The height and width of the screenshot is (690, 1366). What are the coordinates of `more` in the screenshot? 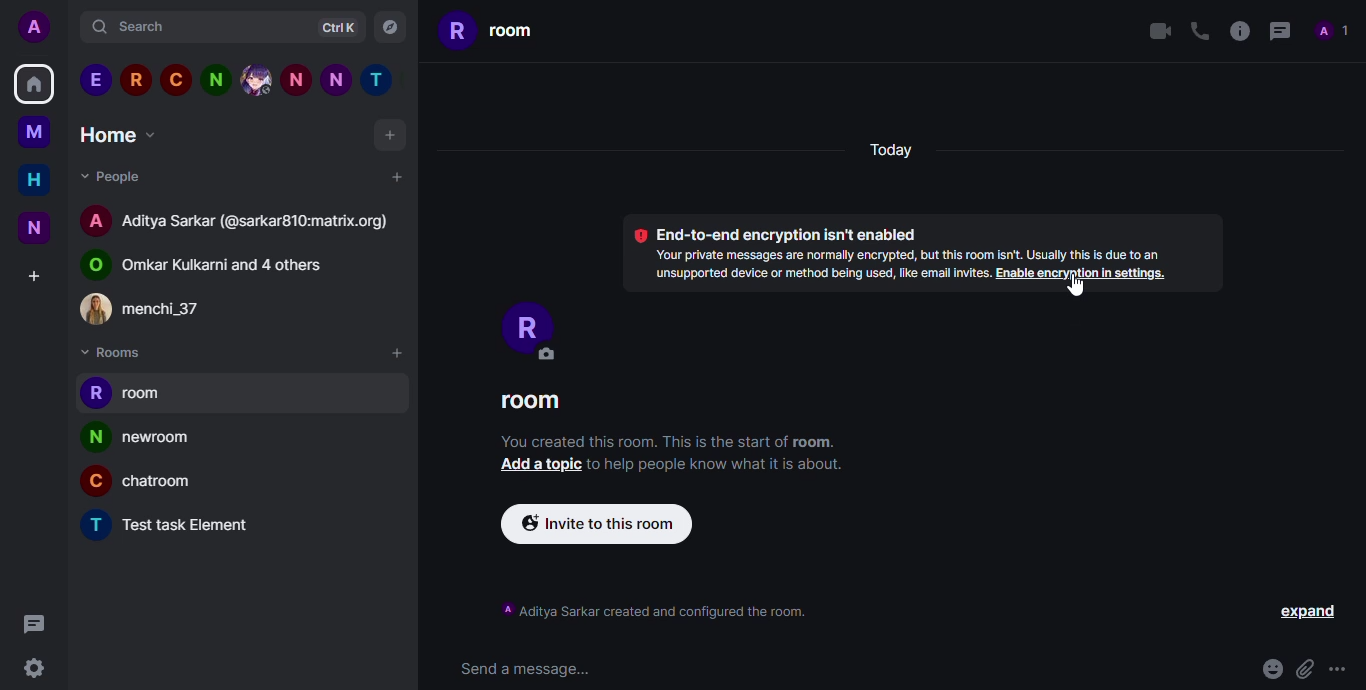 It's located at (1339, 668).